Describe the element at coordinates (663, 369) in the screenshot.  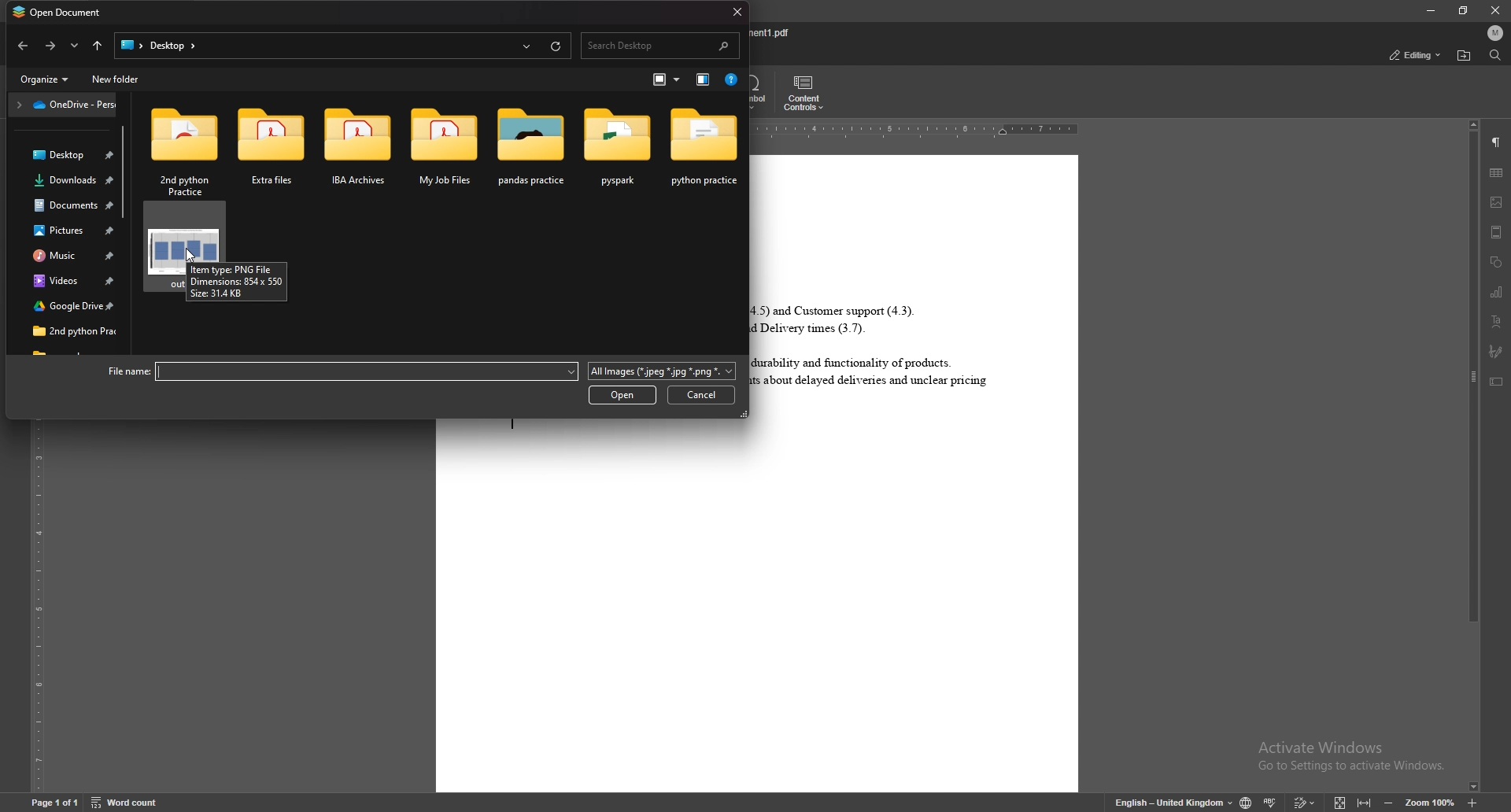
I see `extension` at that location.